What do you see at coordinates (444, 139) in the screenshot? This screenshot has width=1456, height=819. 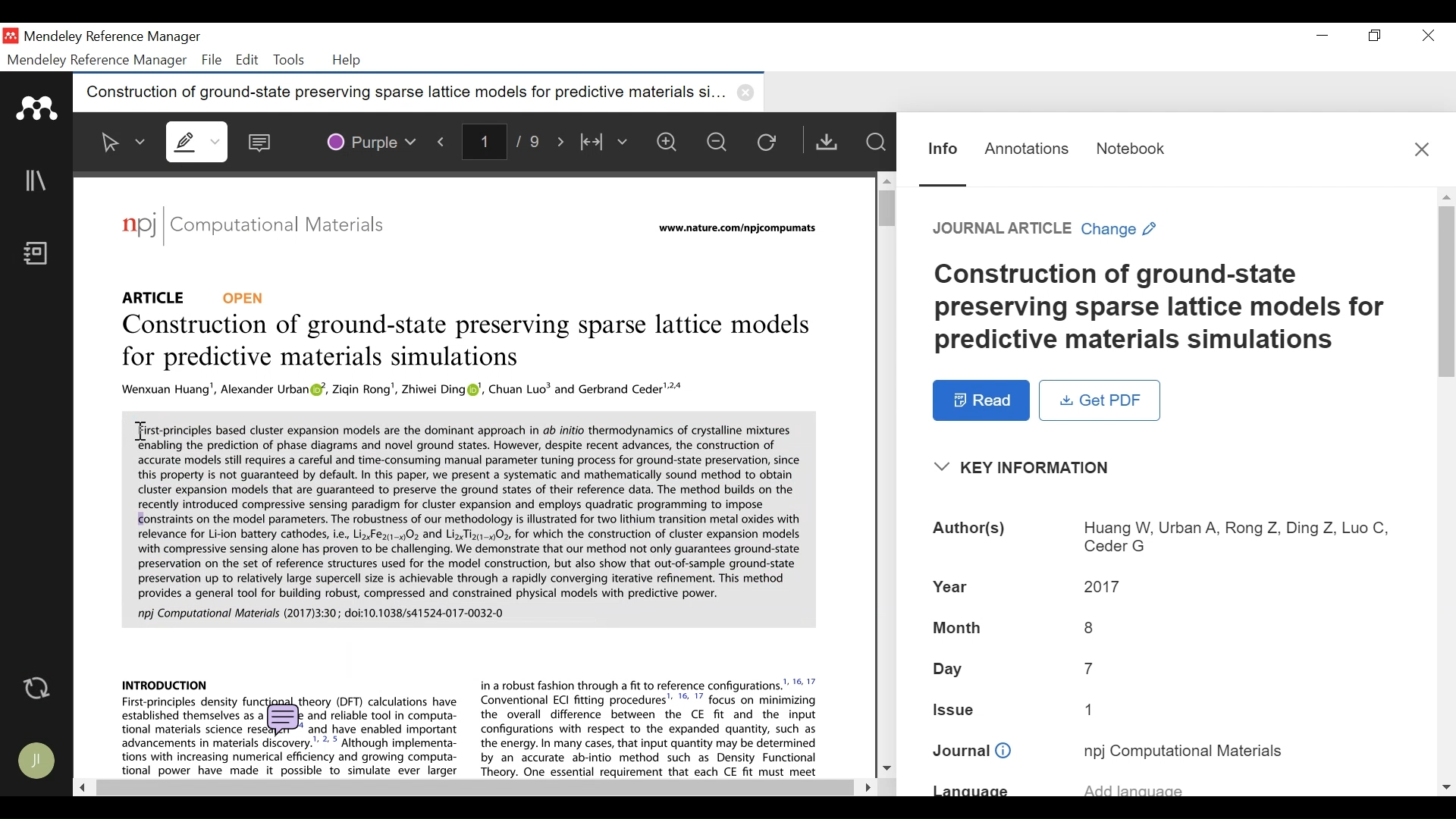 I see `Previous Page` at bounding box center [444, 139].